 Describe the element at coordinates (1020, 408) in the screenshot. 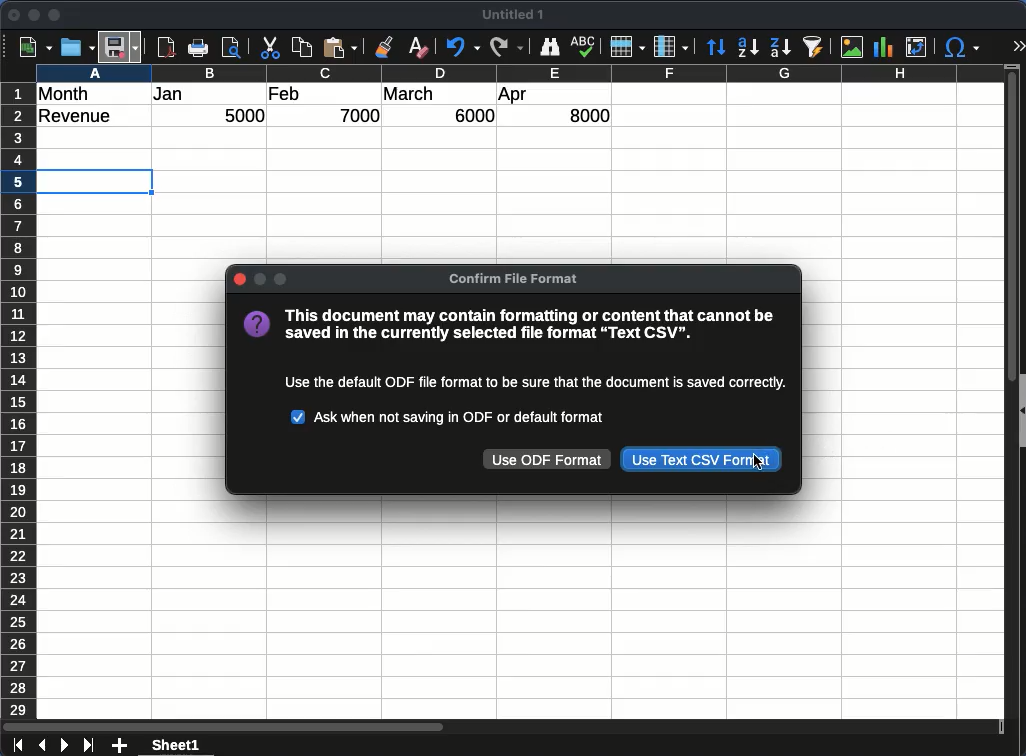

I see `collapse` at that location.